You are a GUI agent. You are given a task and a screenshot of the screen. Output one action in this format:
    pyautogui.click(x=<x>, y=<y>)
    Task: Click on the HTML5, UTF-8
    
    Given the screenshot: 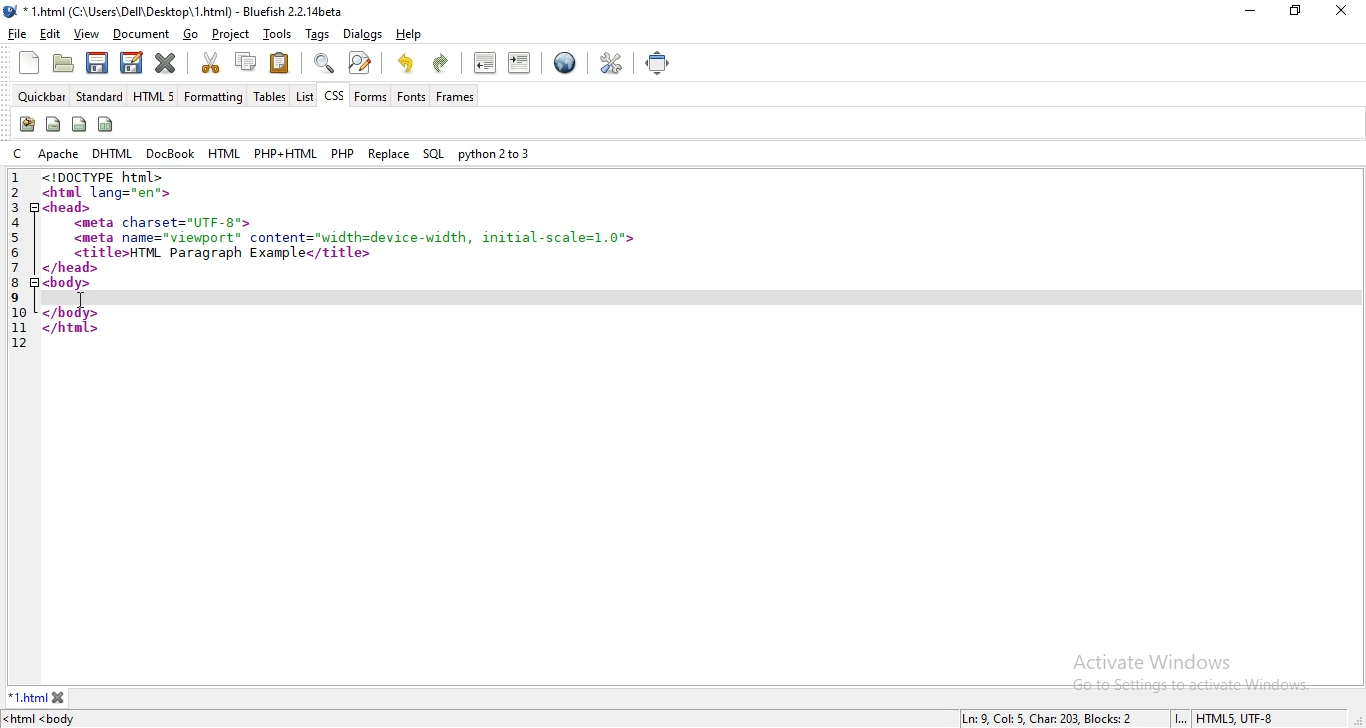 What is the action you would take?
    pyautogui.click(x=1237, y=719)
    